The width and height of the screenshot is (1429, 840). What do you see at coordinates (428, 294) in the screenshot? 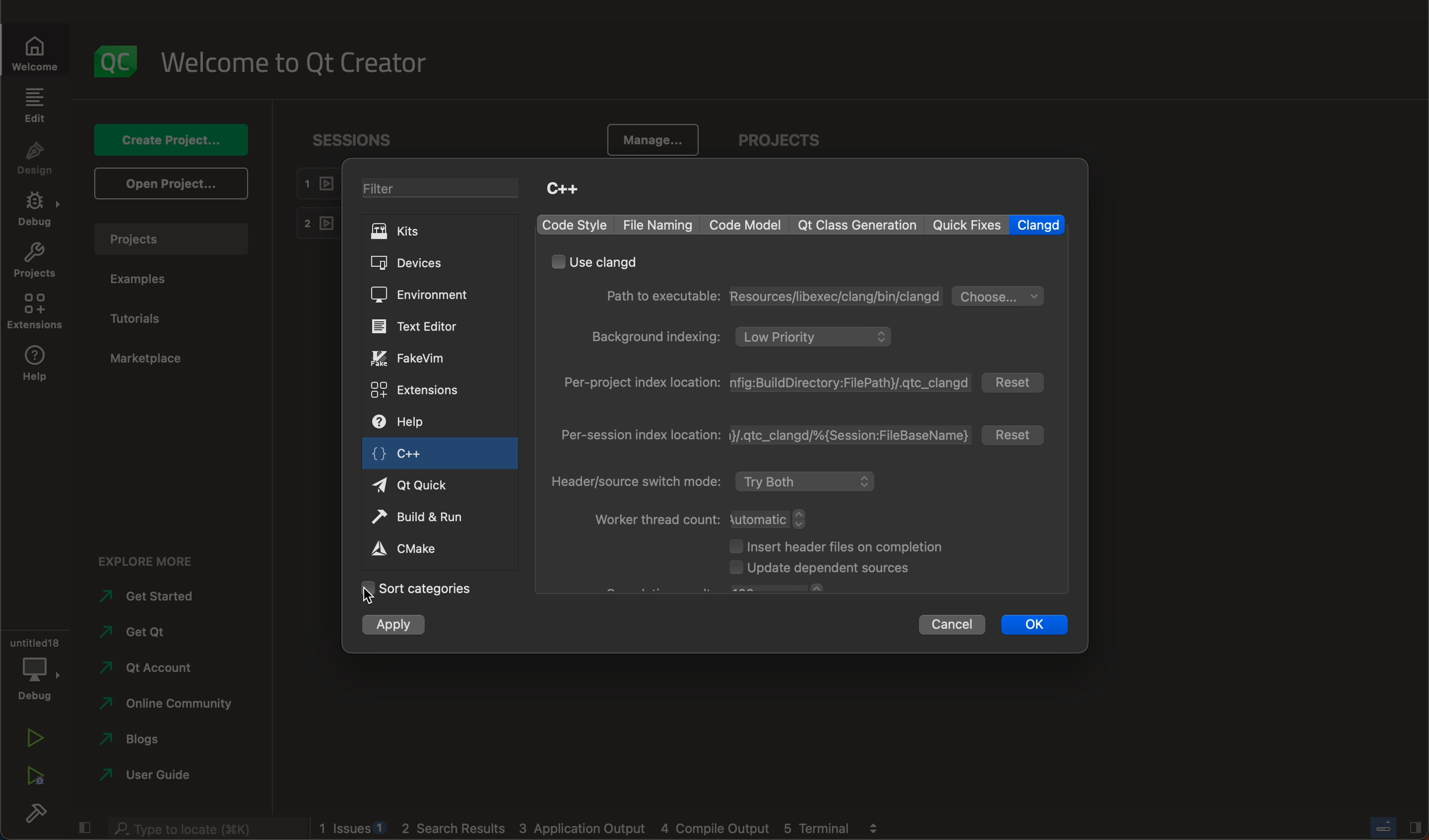
I see `environment` at bounding box center [428, 294].